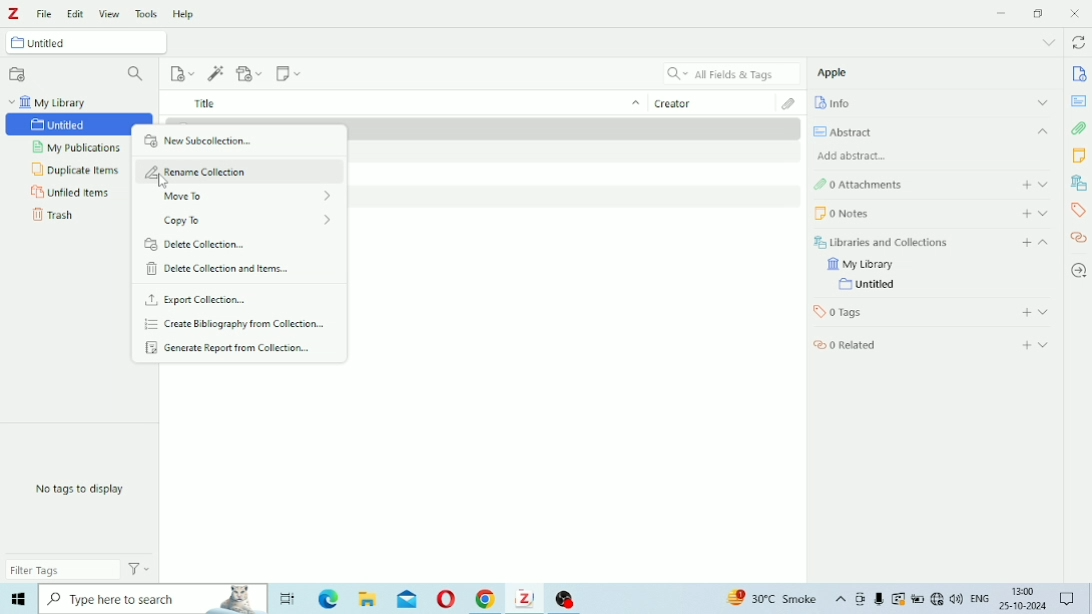  I want to click on cursor, so click(162, 180).